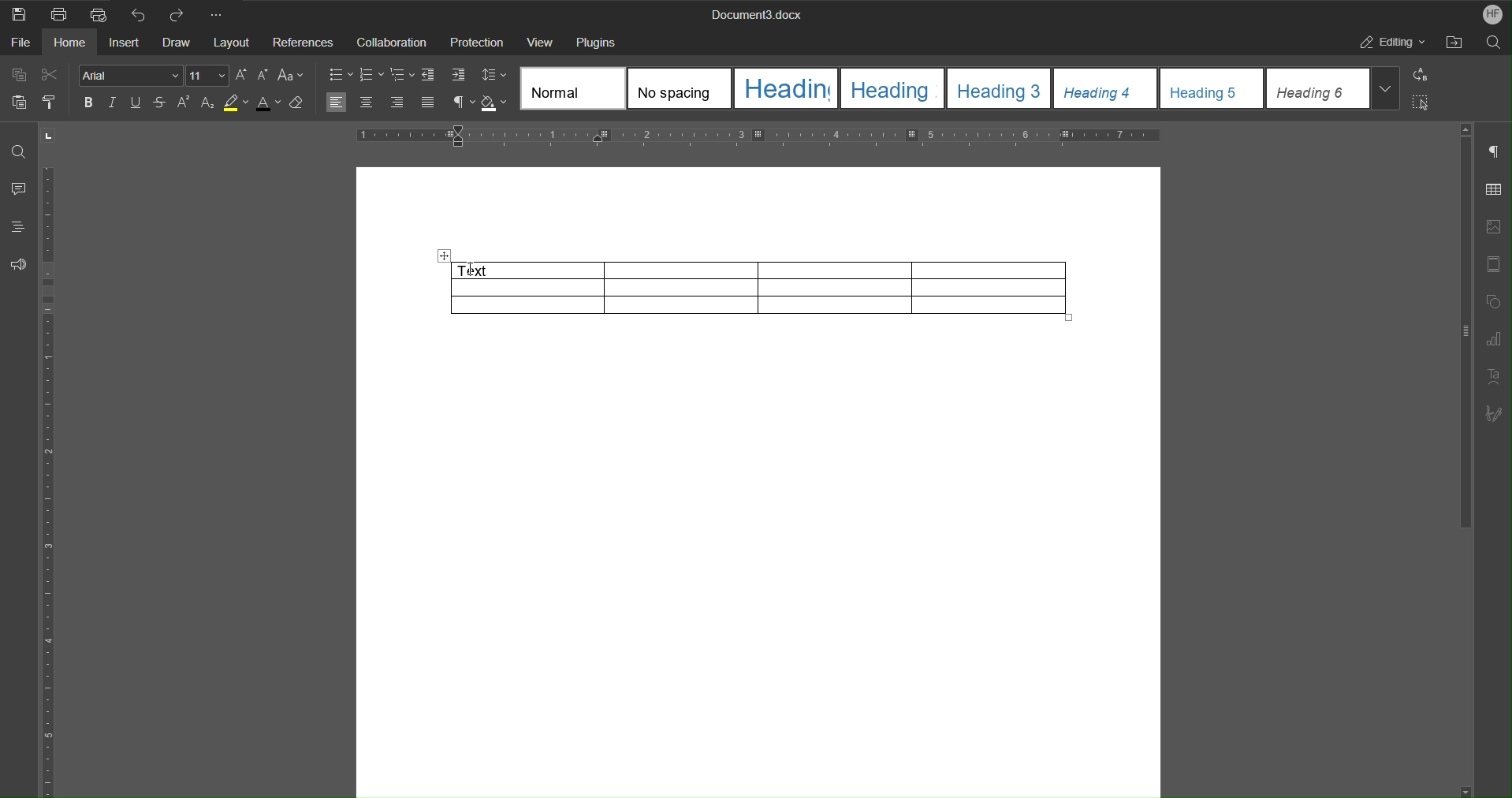  Describe the element at coordinates (1463, 334) in the screenshot. I see `vertical scroll bar` at that location.